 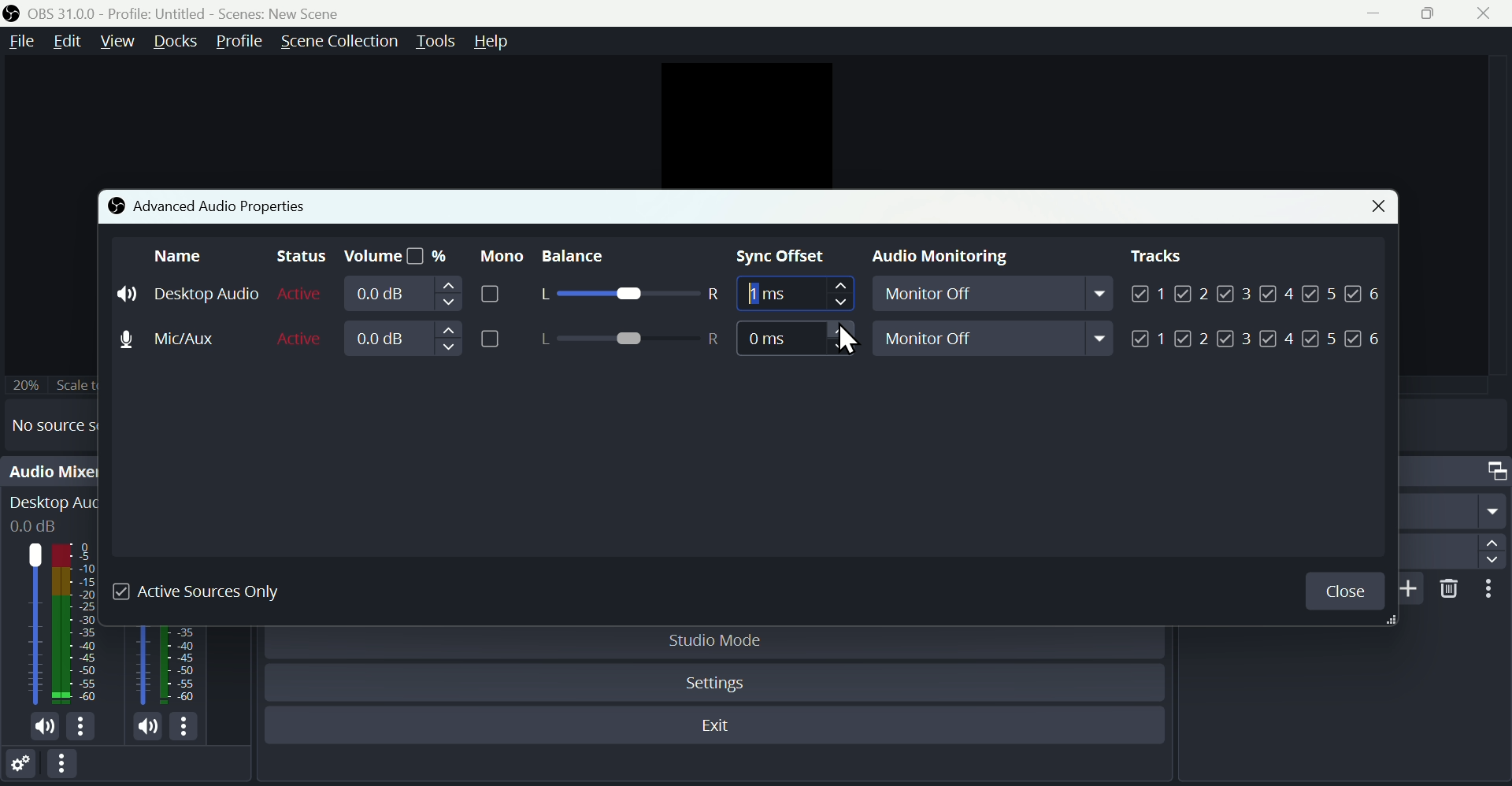 I want to click on Cursor, so click(x=850, y=341).